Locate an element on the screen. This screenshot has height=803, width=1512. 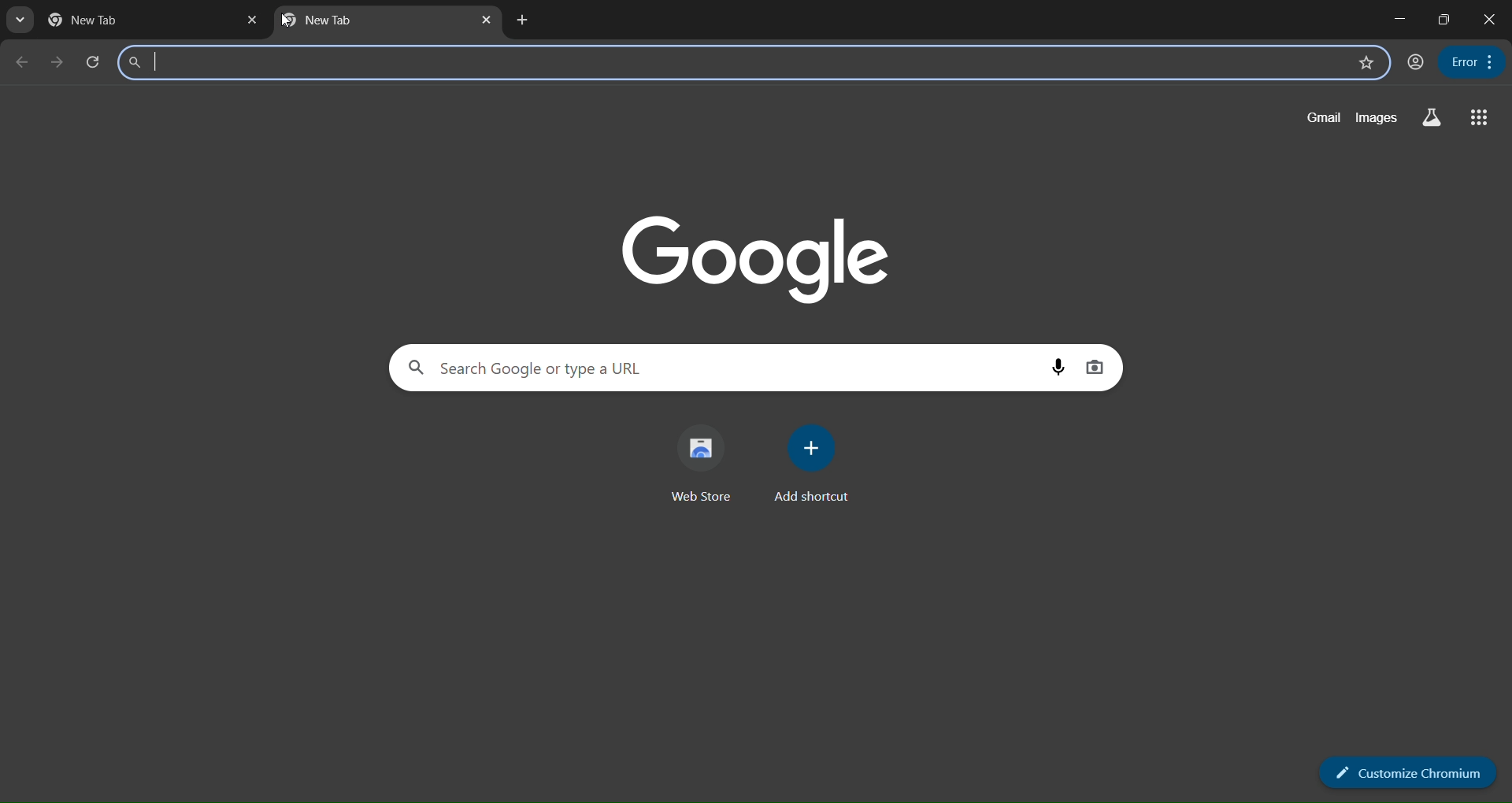
tab list is located at coordinates (24, 20).